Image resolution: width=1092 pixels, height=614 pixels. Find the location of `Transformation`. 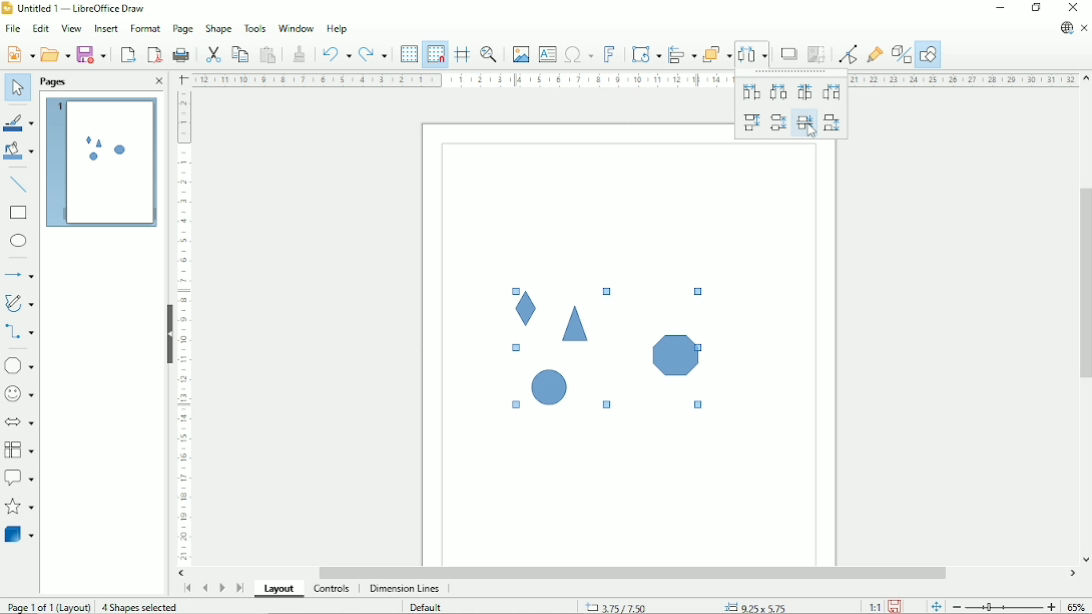

Transformation is located at coordinates (646, 54).